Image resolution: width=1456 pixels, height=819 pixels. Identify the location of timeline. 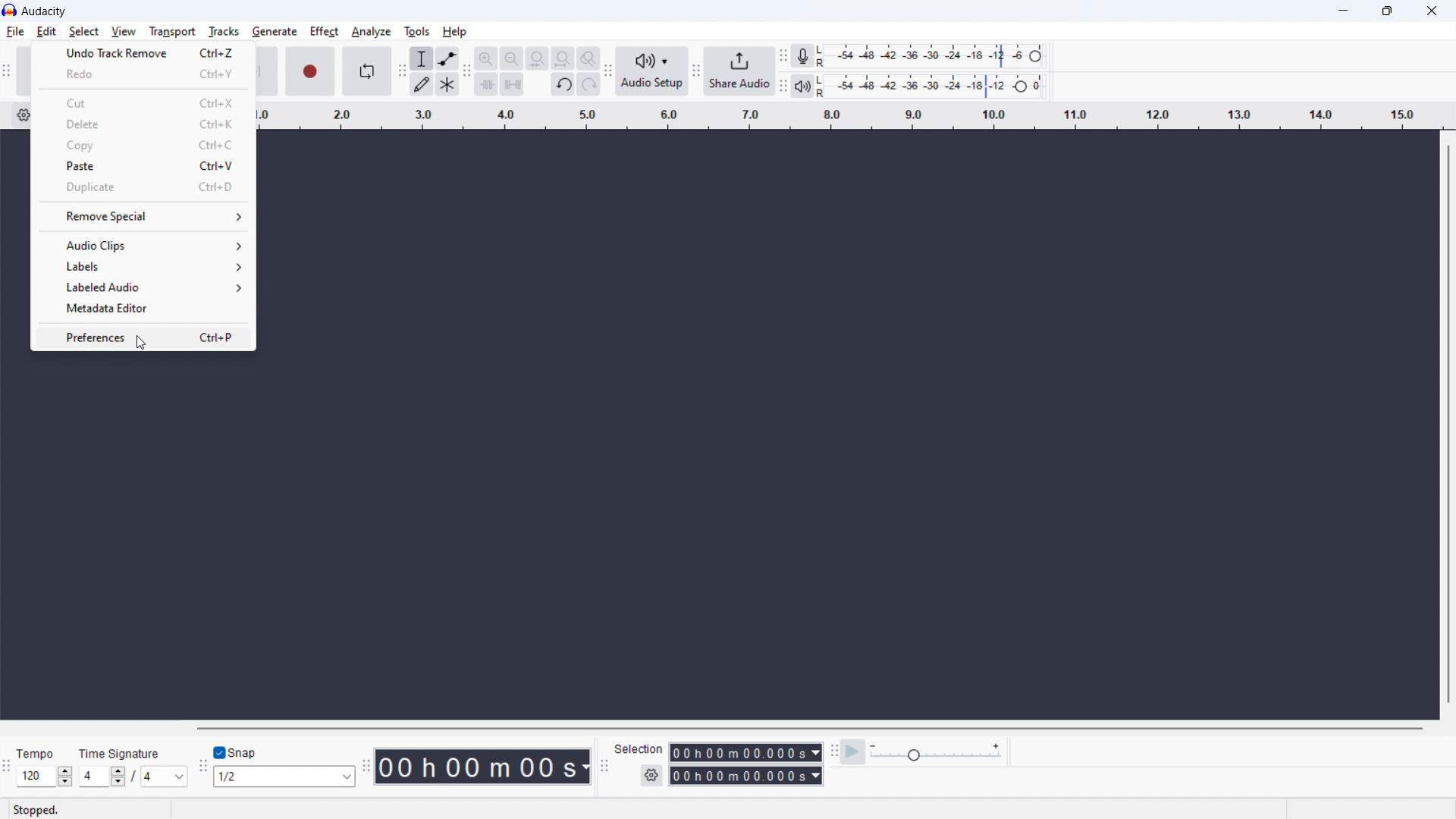
(855, 117).